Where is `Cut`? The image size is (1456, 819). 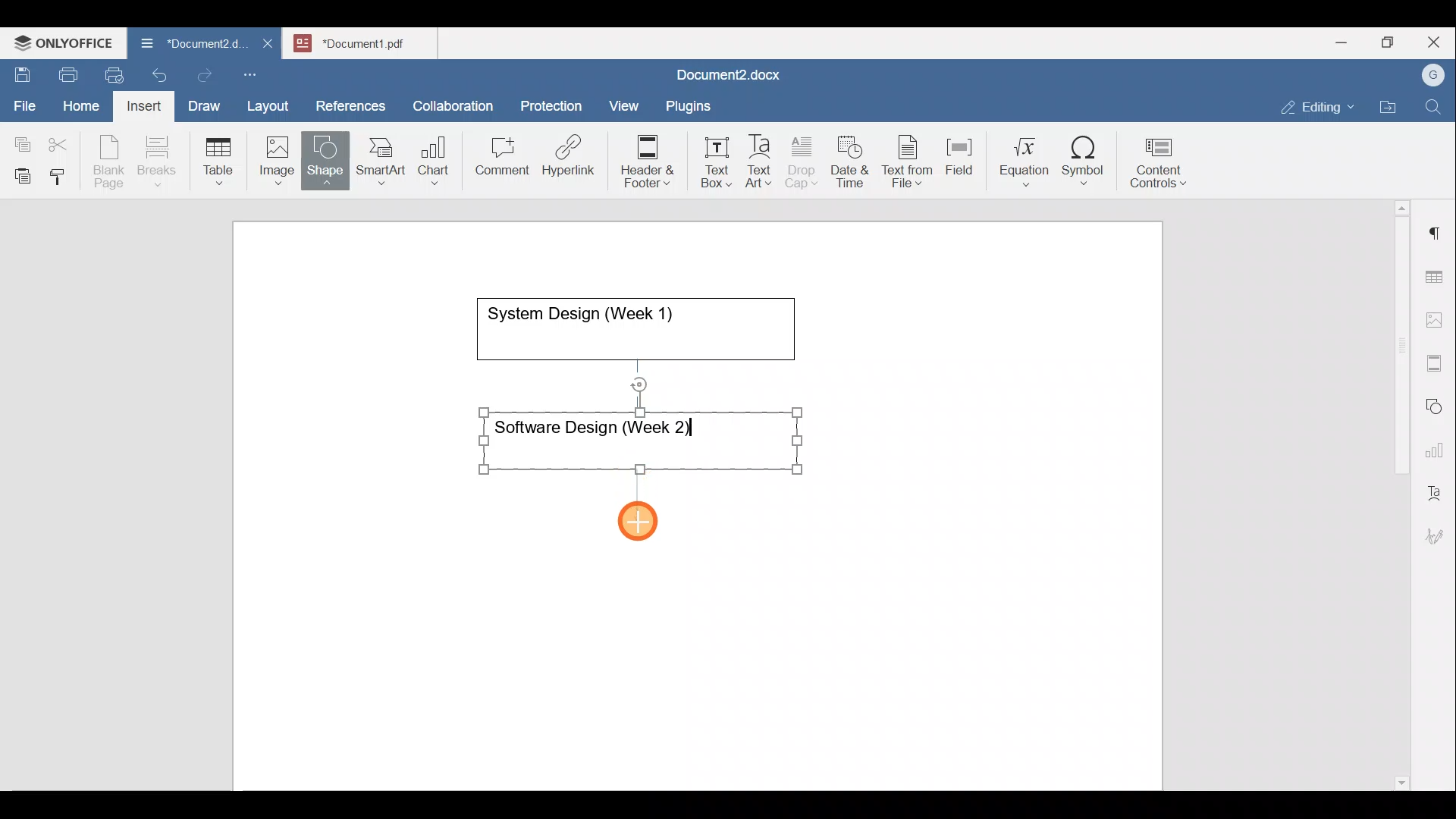
Cut is located at coordinates (64, 141).